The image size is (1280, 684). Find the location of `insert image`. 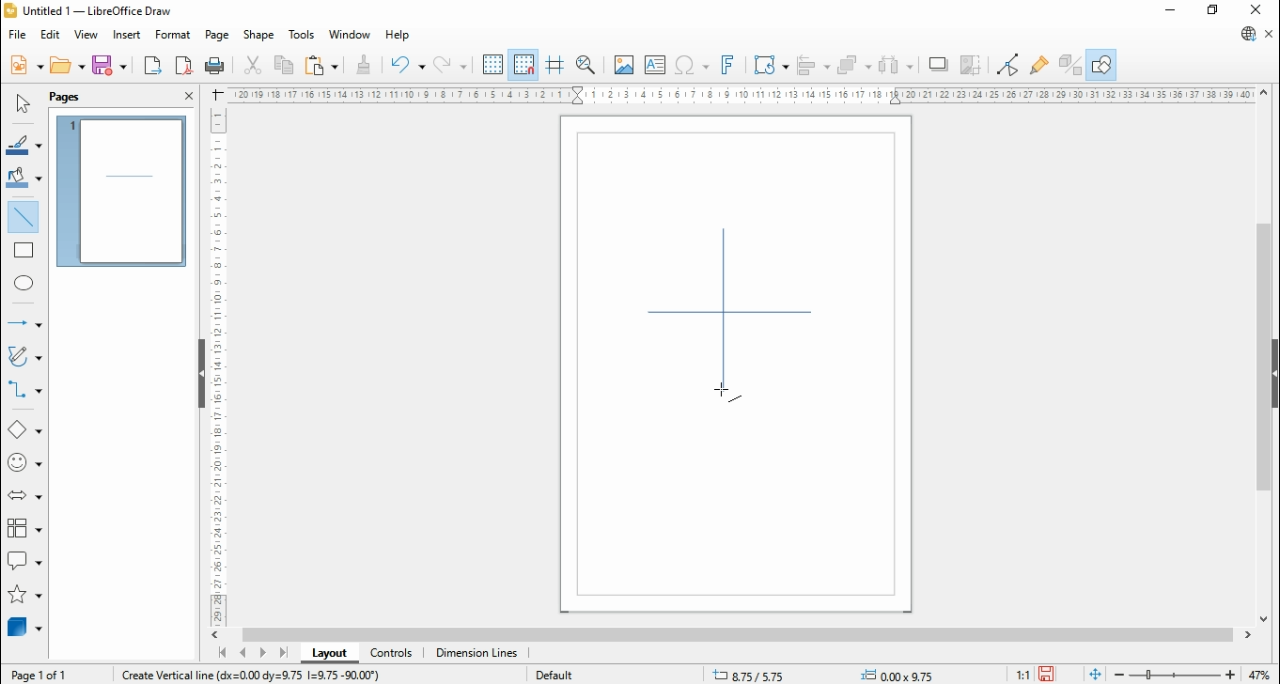

insert image is located at coordinates (623, 64).